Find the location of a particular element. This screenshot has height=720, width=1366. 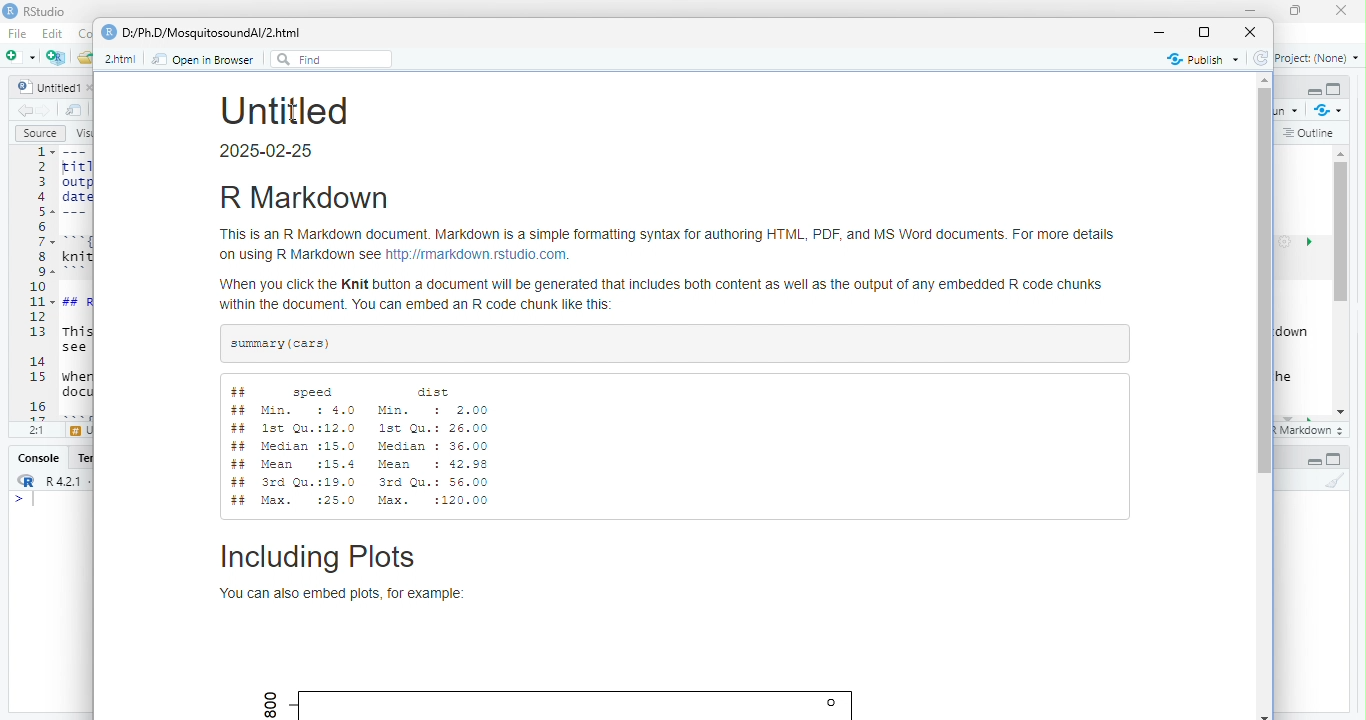

dist is located at coordinates (437, 391).